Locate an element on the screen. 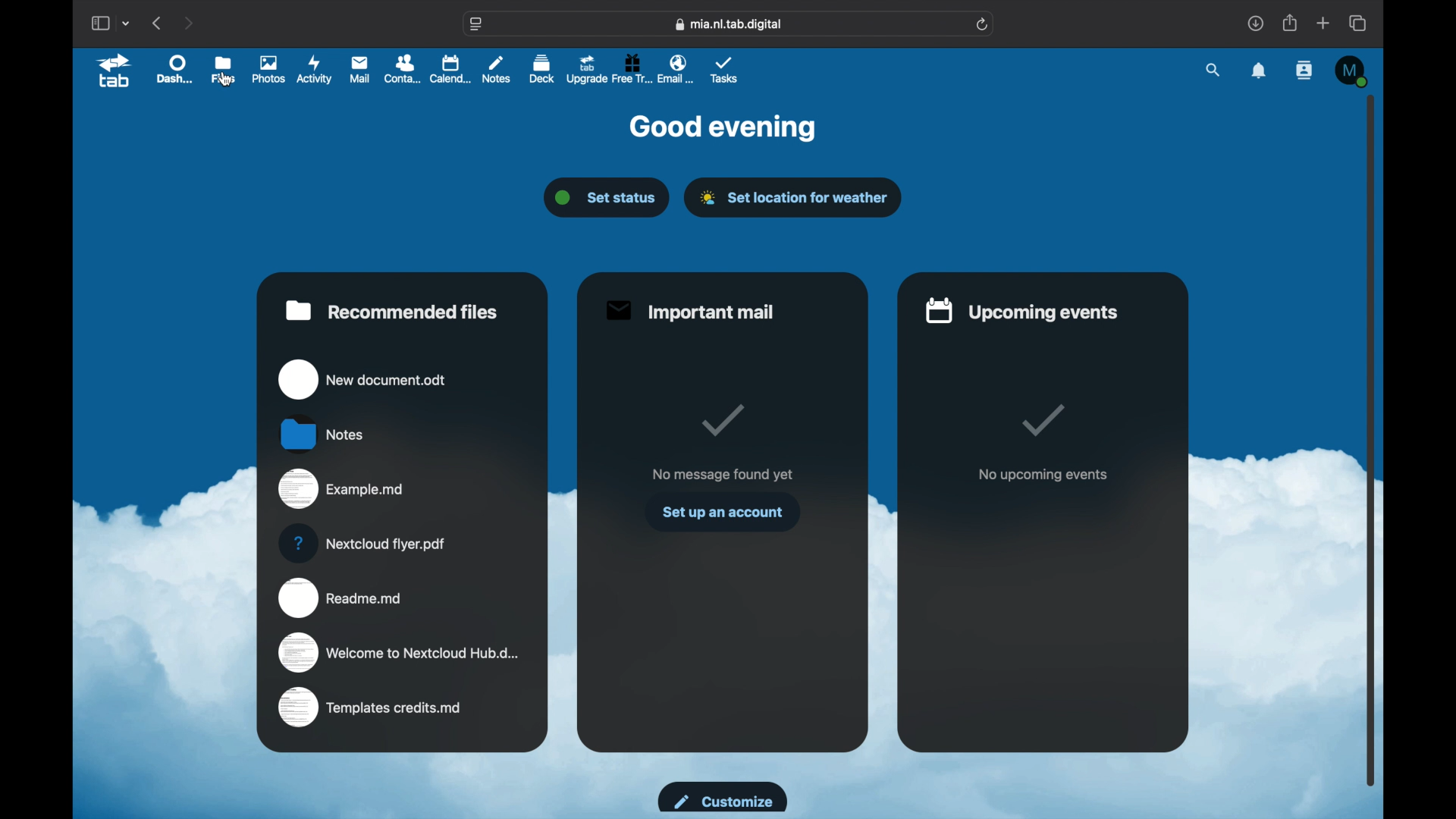  search is located at coordinates (1213, 70).